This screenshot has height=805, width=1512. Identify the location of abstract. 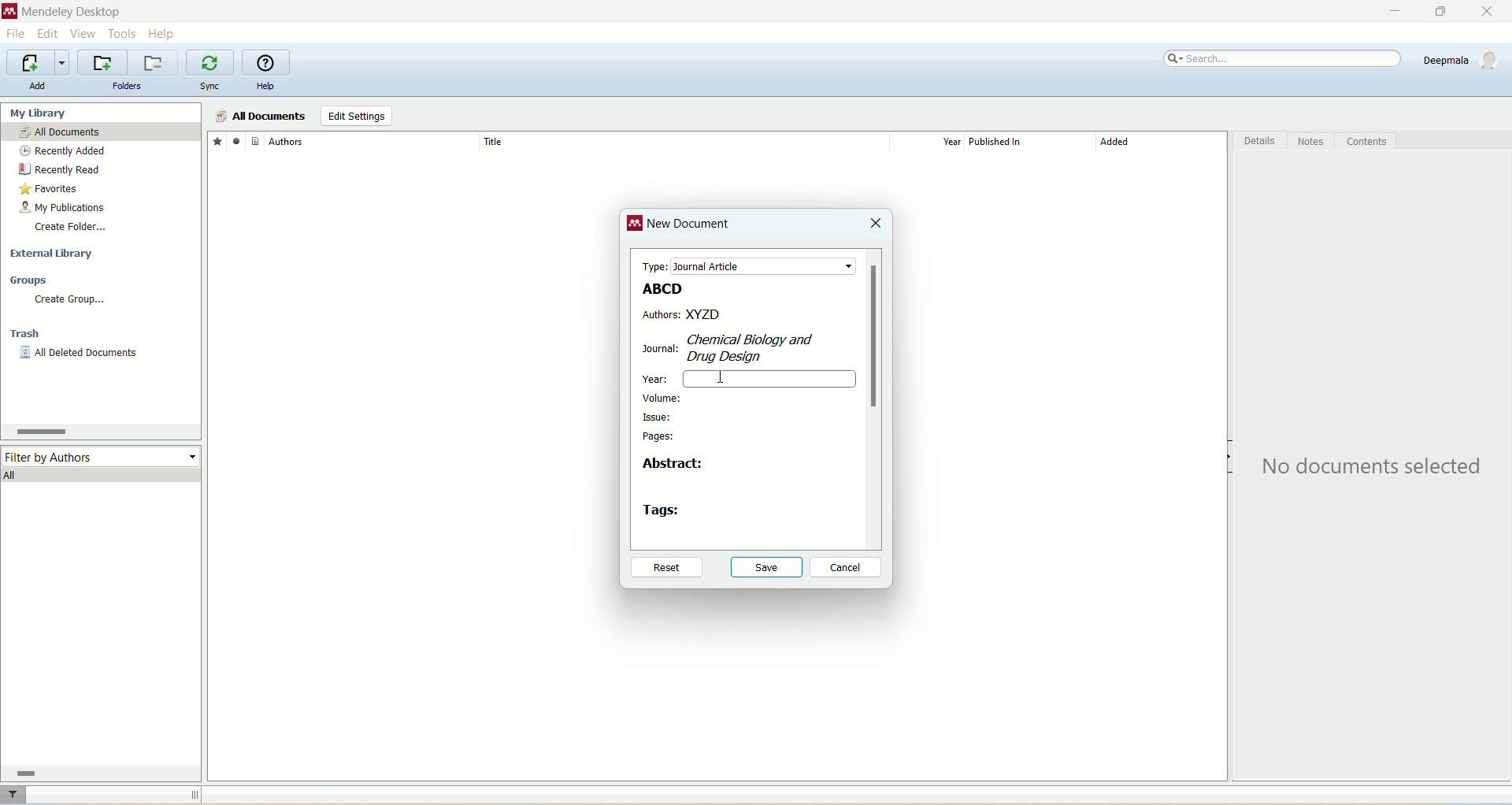
(673, 467).